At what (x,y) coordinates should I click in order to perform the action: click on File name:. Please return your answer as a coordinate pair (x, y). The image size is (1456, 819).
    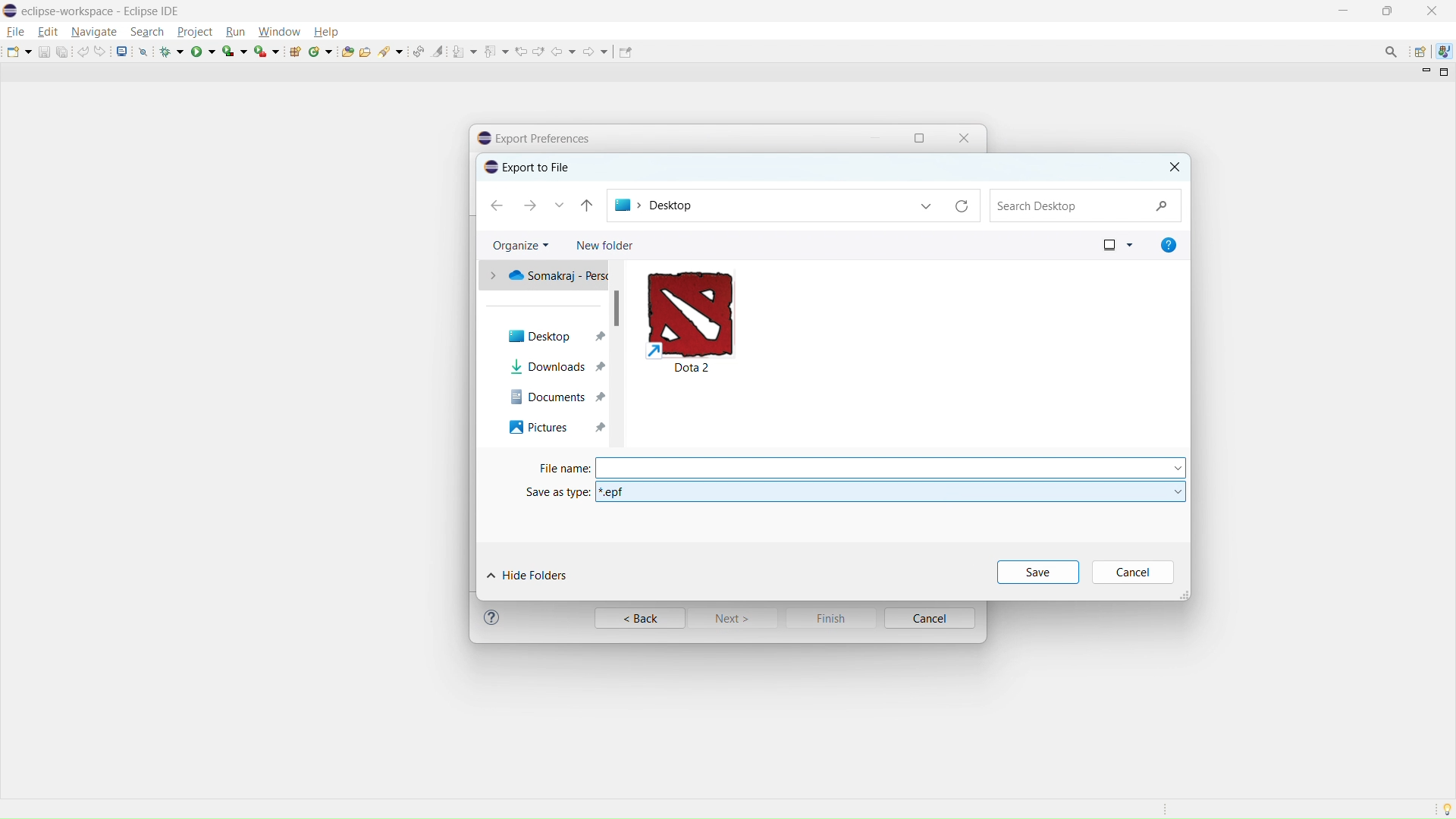
    Looking at the image, I should click on (840, 466).